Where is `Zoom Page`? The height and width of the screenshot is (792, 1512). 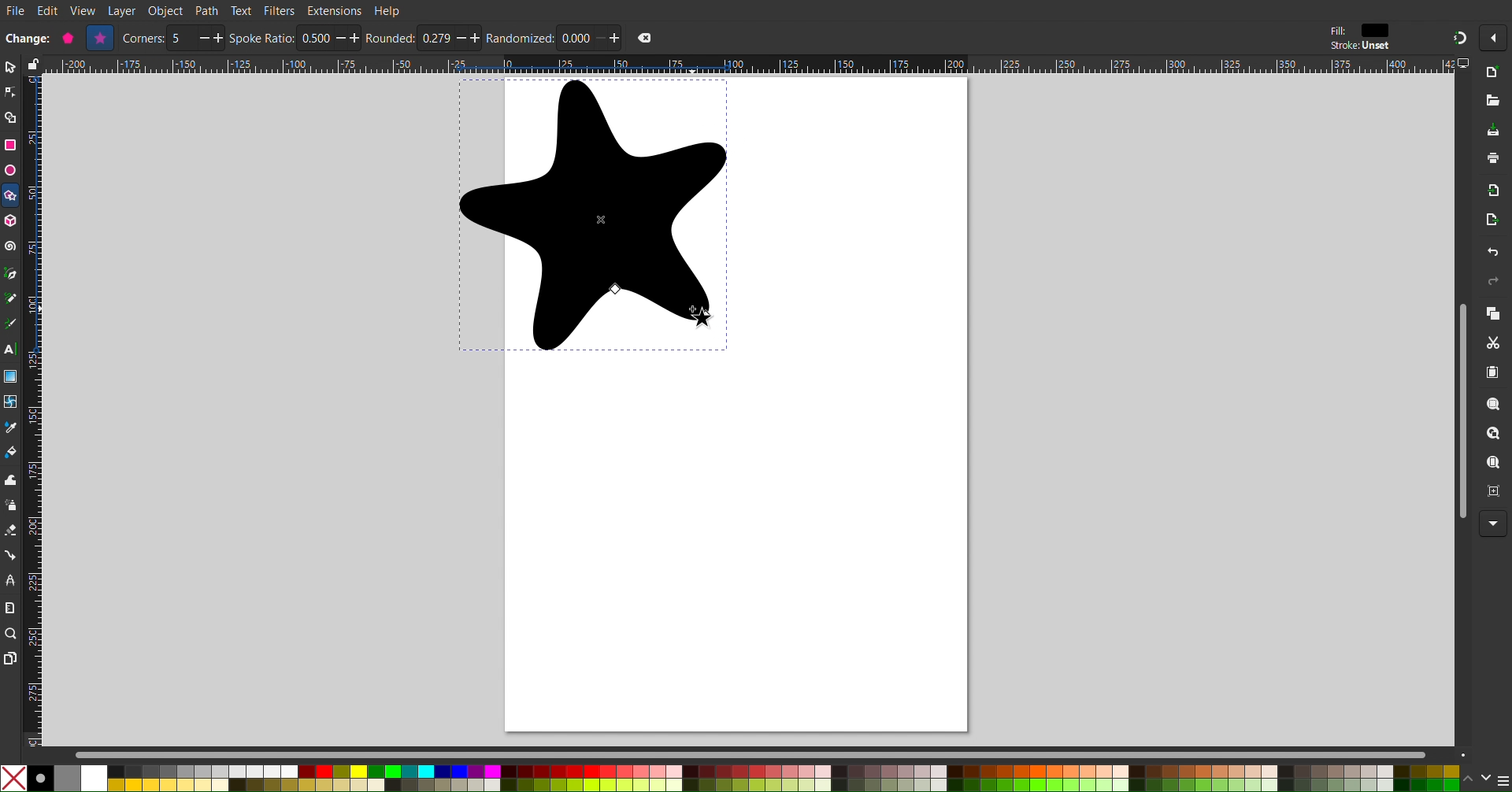 Zoom Page is located at coordinates (1494, 464).